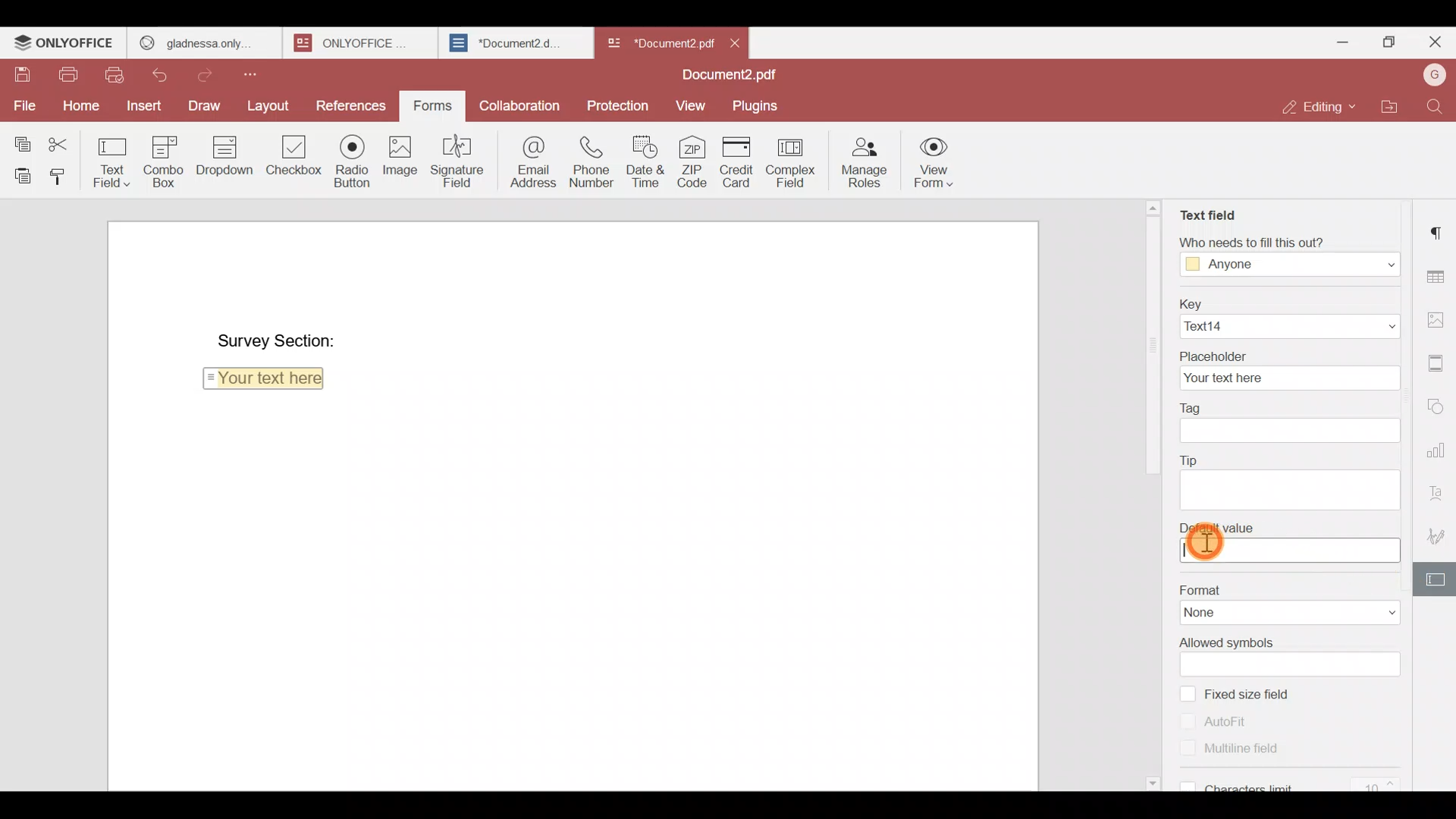 Image resolution: width=1456 pixels, height=819 pixels. What do you see at coordinates (695, 160) in the screenshot?
I see `ZIP code` at bounding box center [695, 160].